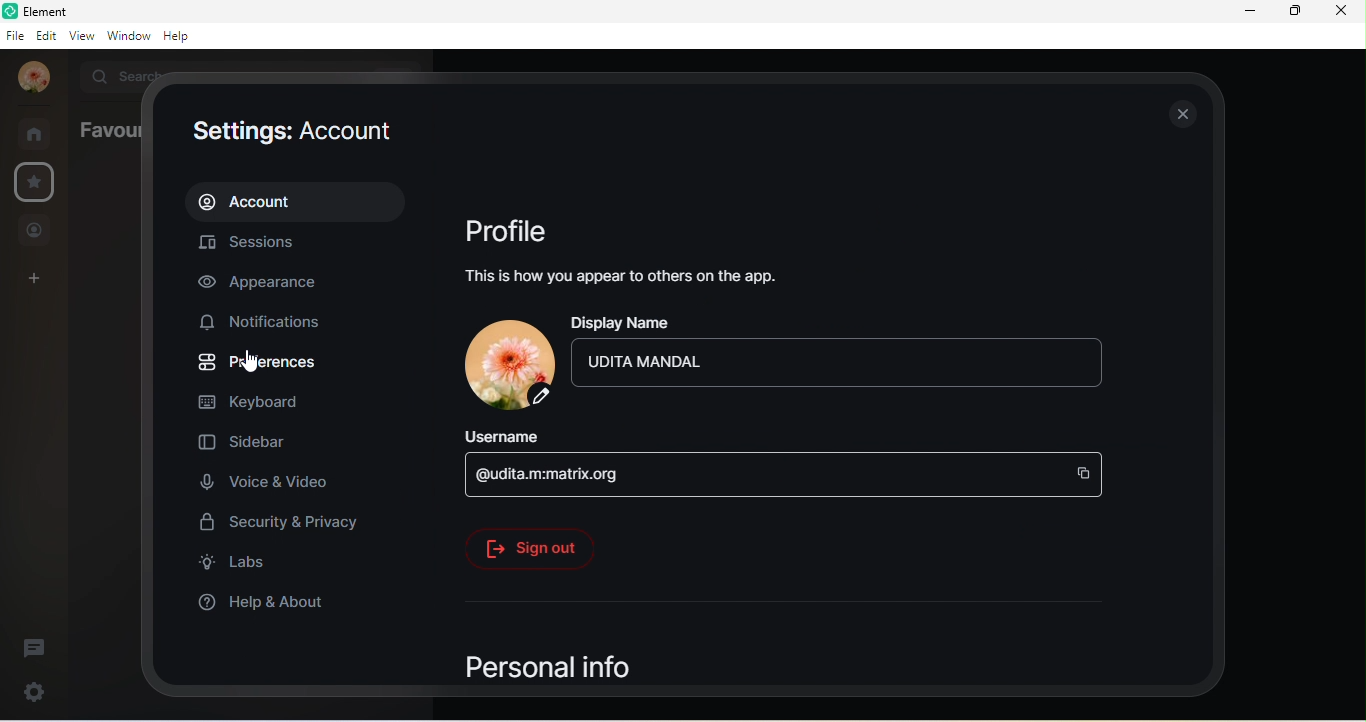 The width and height of the screenshot is (1366, 722). What do you see at coordinates (1085, 471) in the screenshot?
I see `copy` at bounding box center [1085, 471].